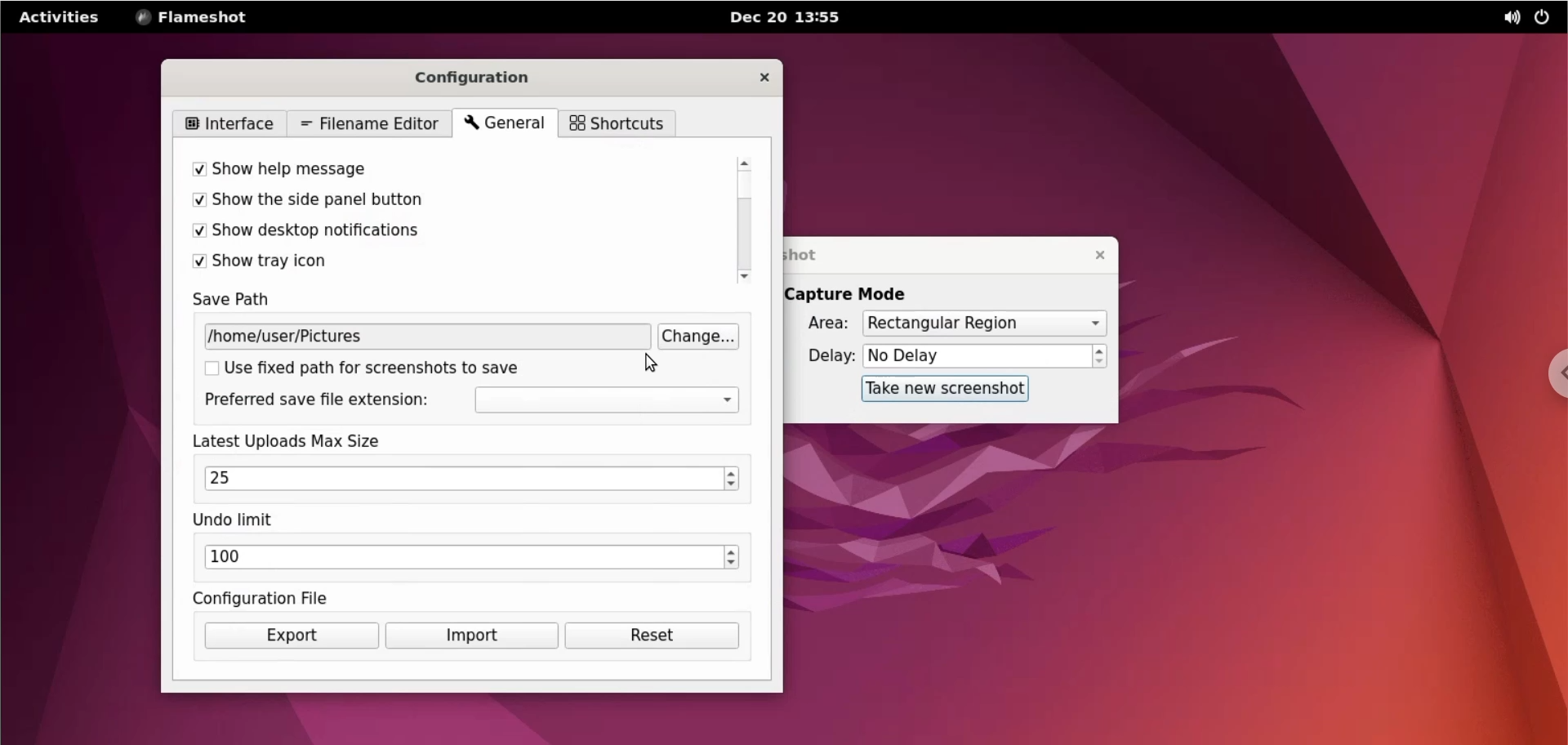 The width and height of the screenshot is (1568, 745). What do you see at coordinates (650, 636) in the screenshot?
I see `reset ` at bounding box center [650, 636].